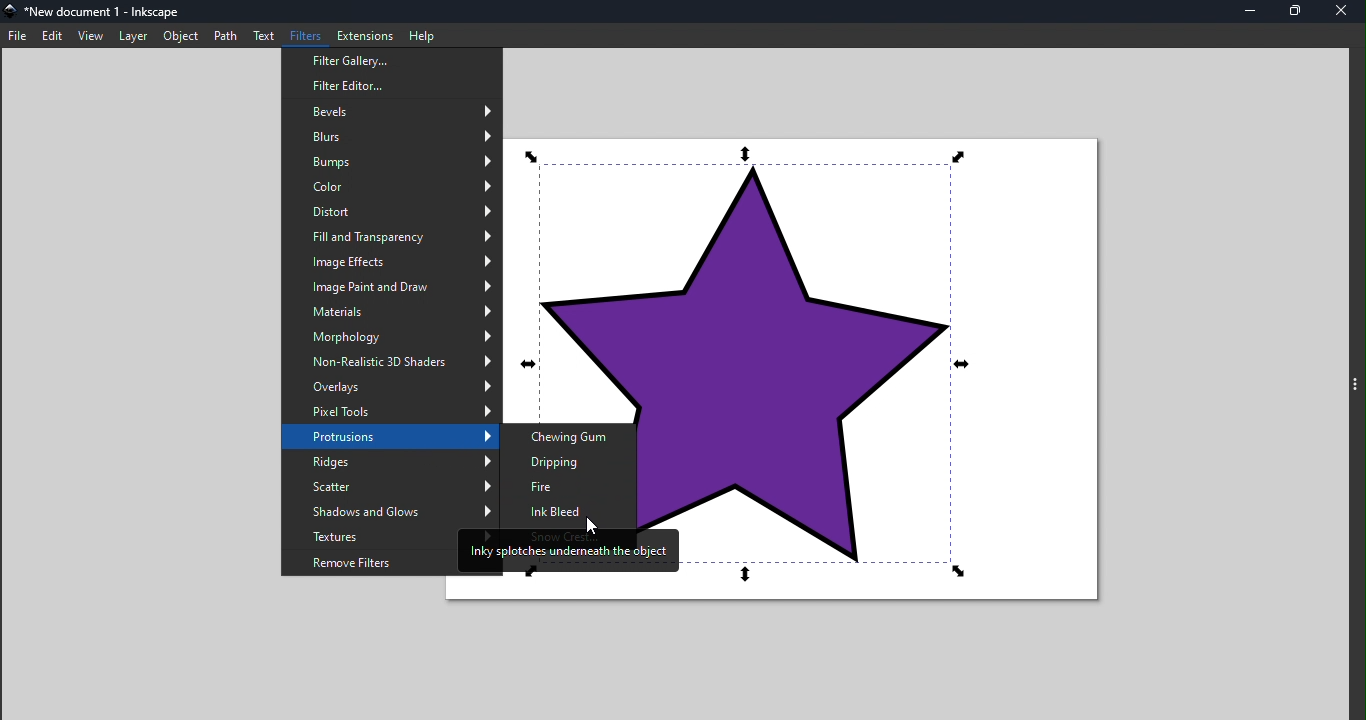 The width and height of the screenshot is (1366, 720). Describe the element at coordinates (391, 365) in the screenshot. I see `Non-Realistic 3D Shades` at that location.